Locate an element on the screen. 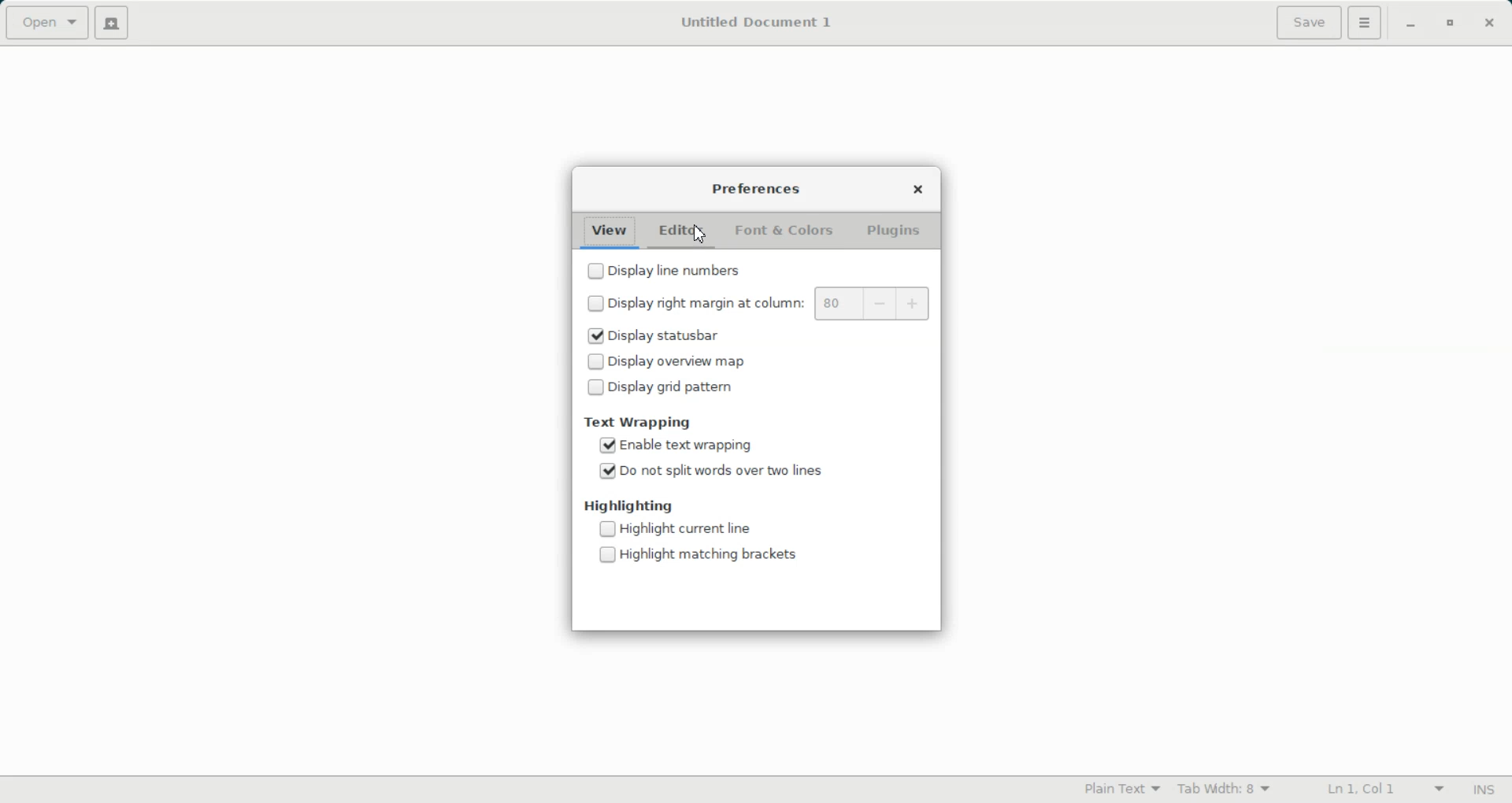  Close is located at coordinates (918, 190).